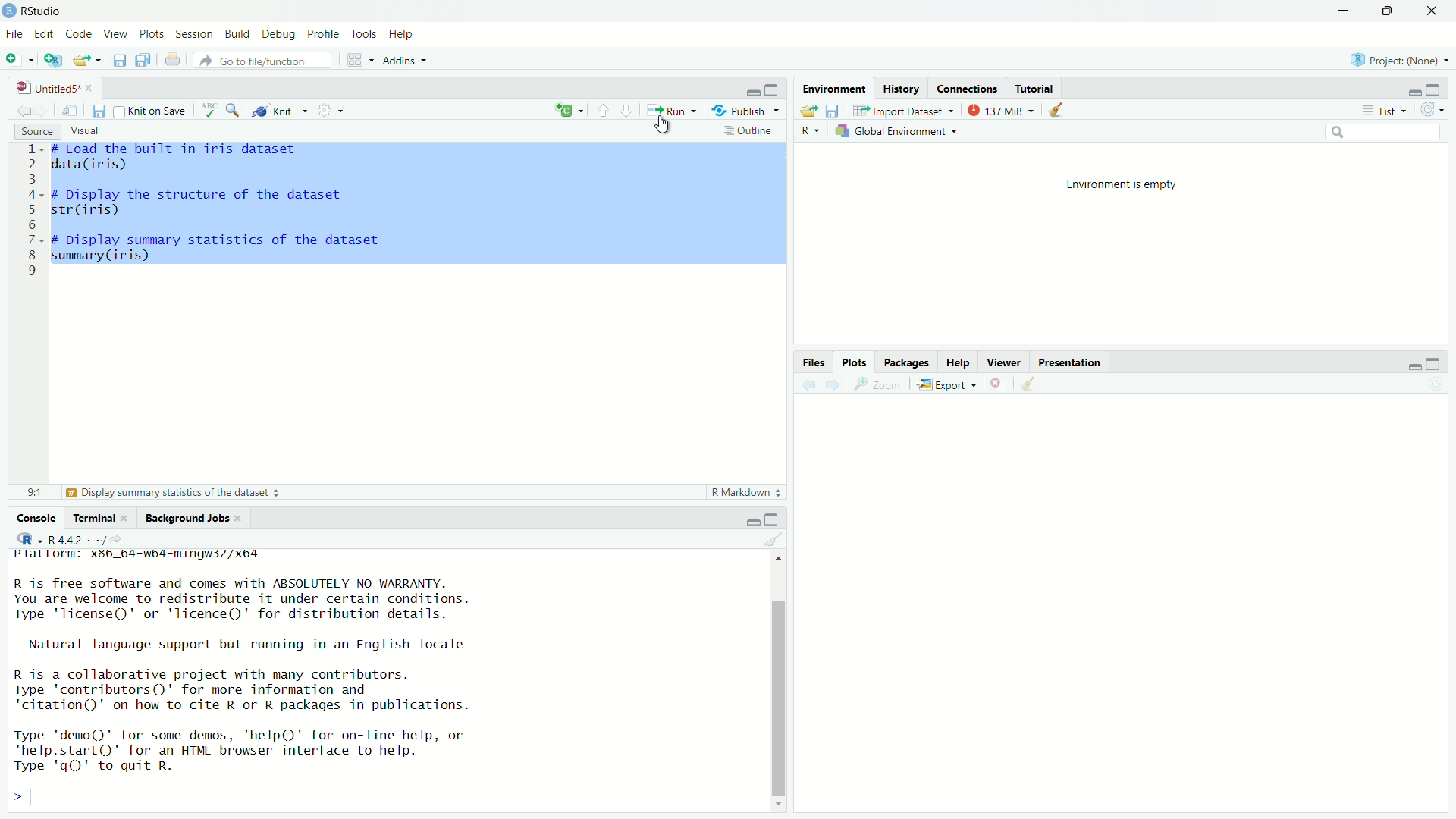  Describe the element at coordinates (71, 538) in the screenshot. I see `R 4.4.2 - ~/` at that location.